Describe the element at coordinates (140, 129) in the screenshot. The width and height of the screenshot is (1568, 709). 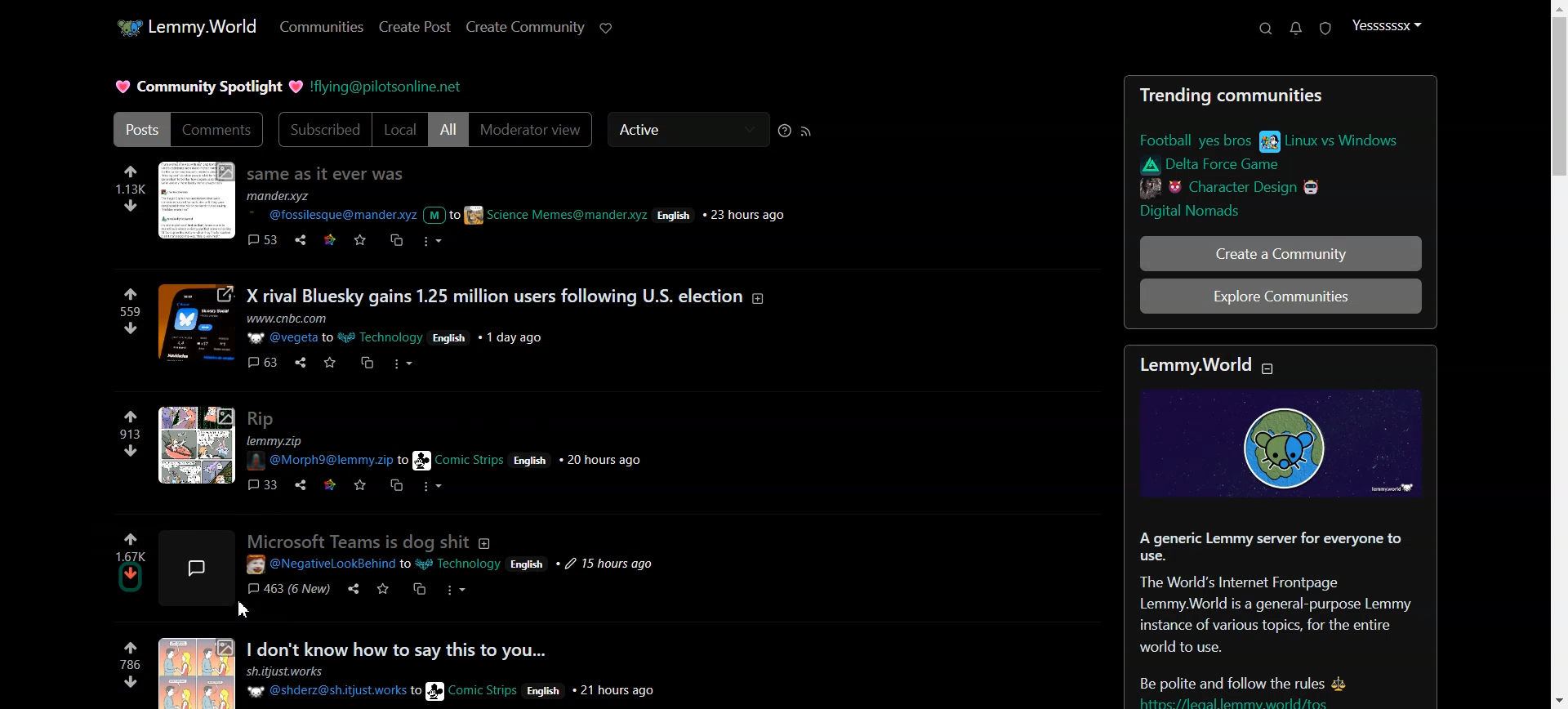
I see `Posts` at that location.